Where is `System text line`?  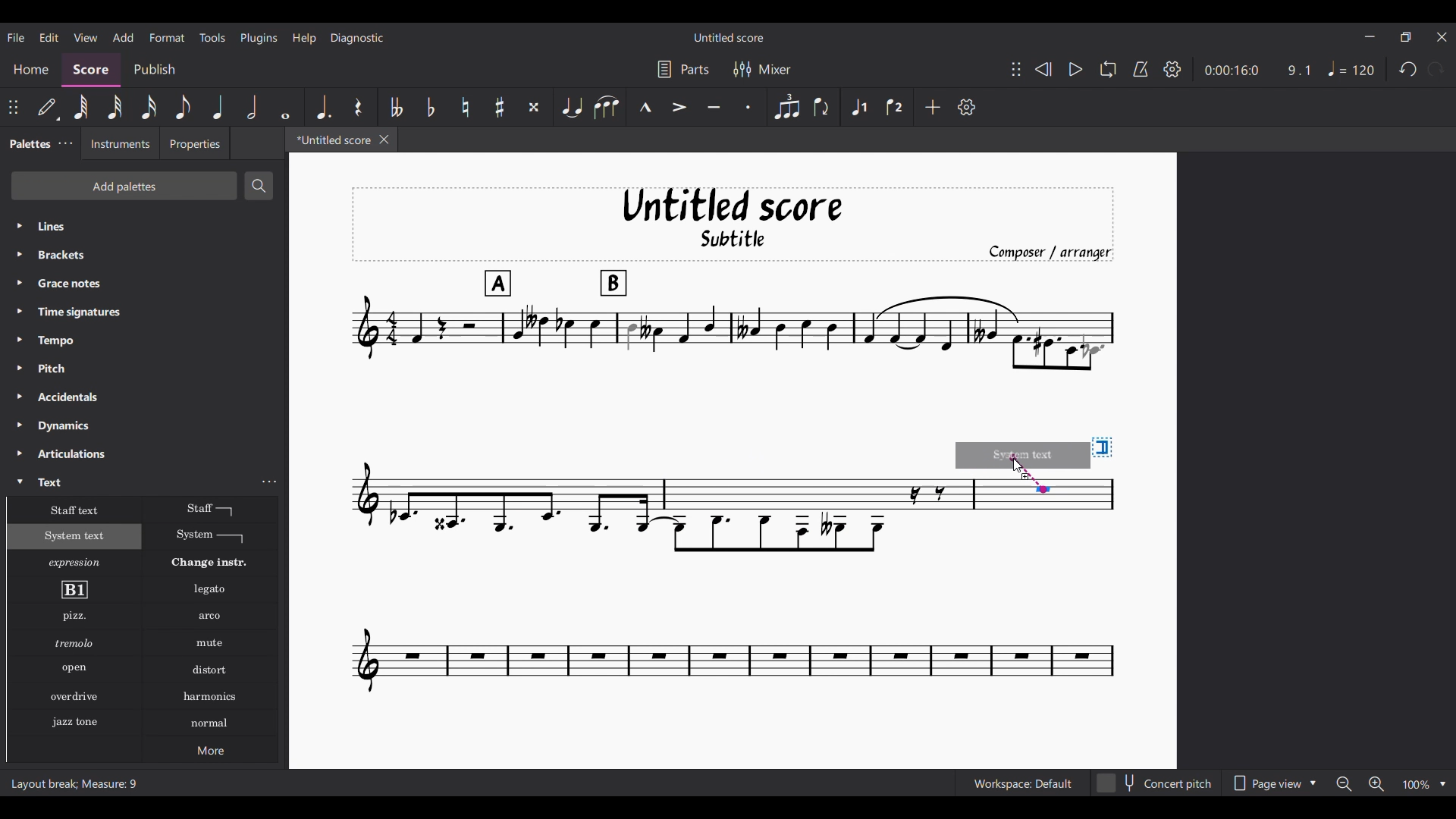
System text line is located at coordinates (210, 536).